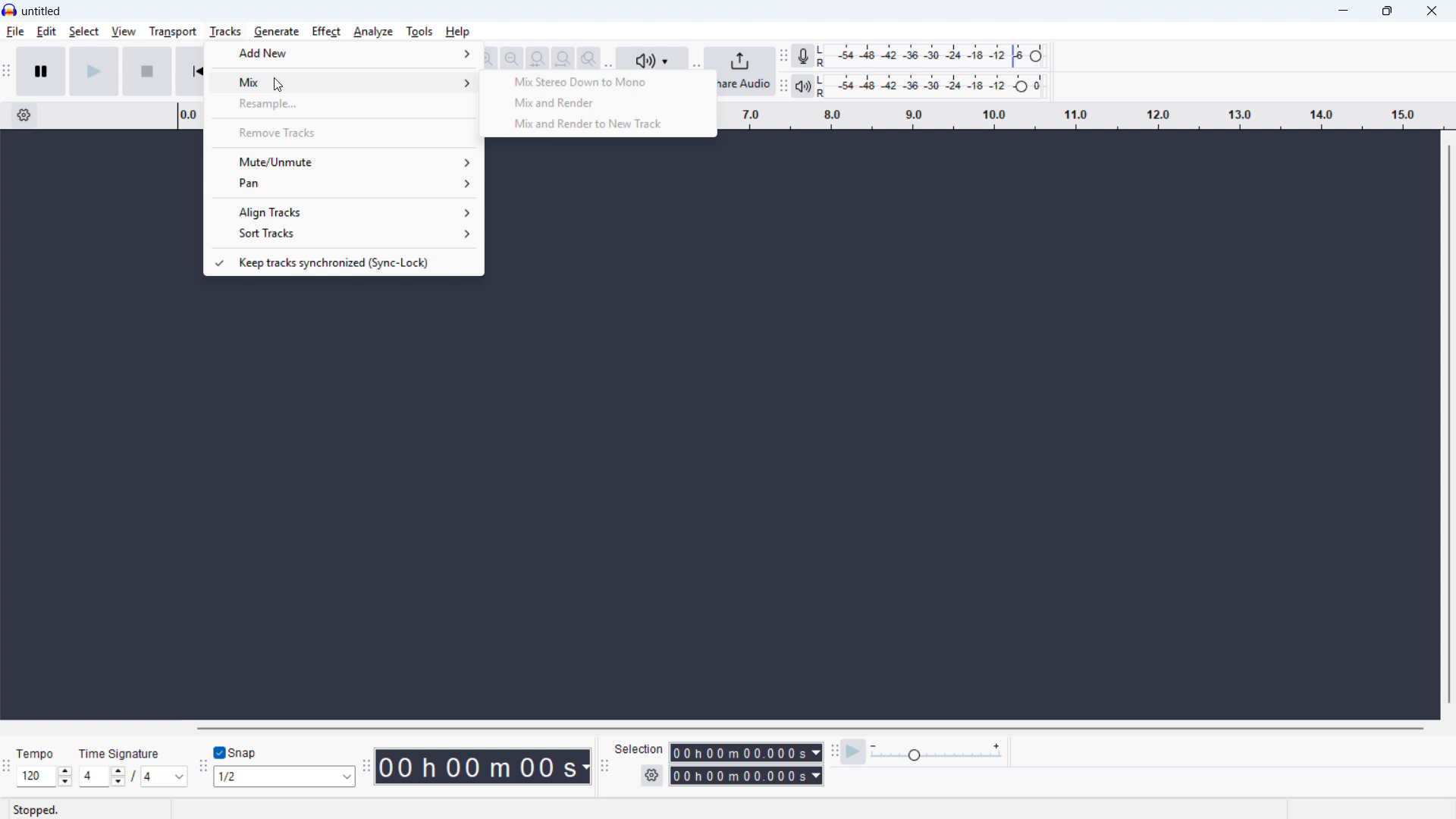 Image resolution: width=1456 pixels, height=819 pixels. What do you see at coordinates (36, 754) in the screenshot?
I see `tempo` at bounding box center [36, 754].